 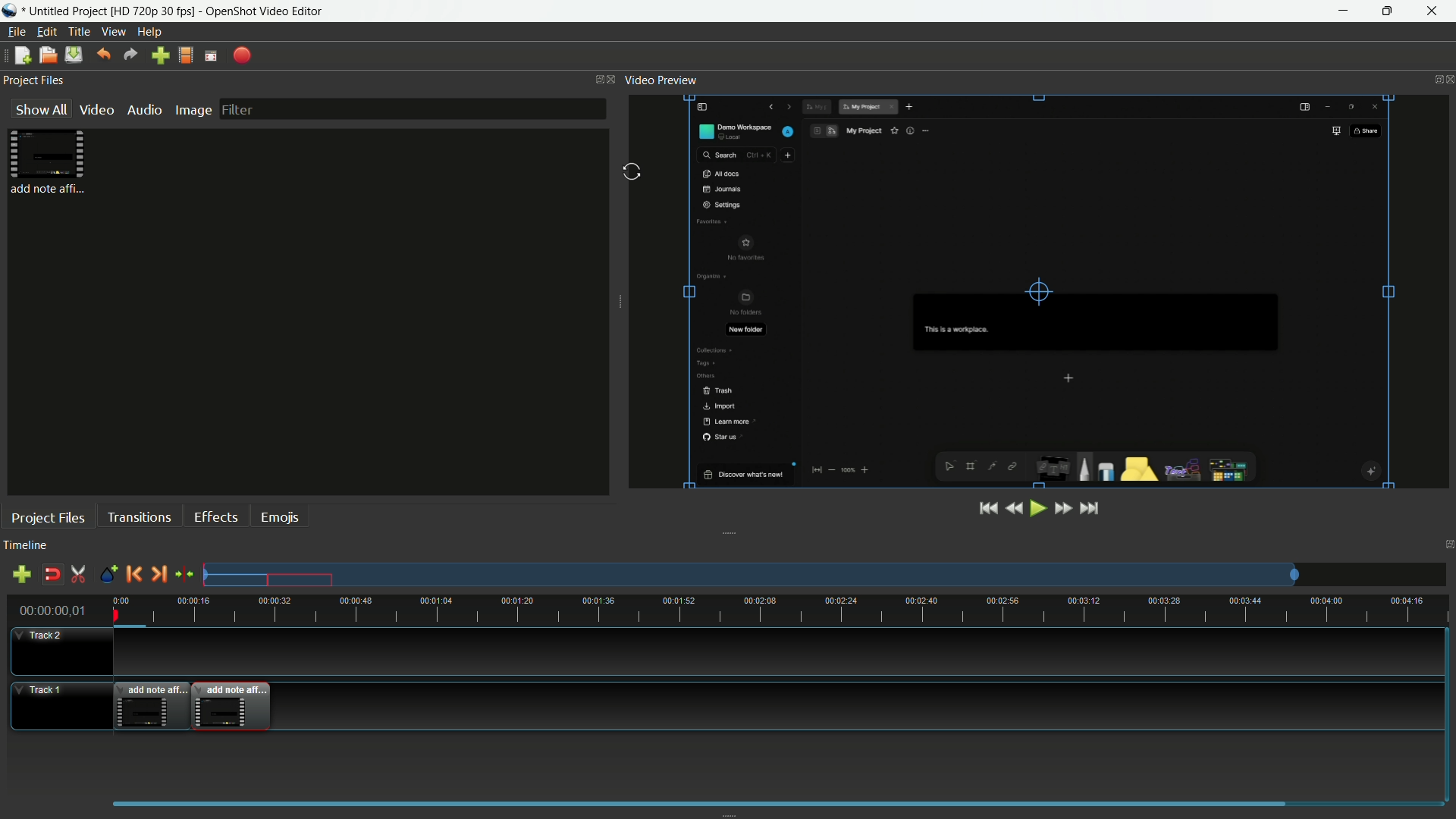 What do you see at coordinates (105, 54) in the screenshot?
I see `undo` at bounding box center [105, 54].